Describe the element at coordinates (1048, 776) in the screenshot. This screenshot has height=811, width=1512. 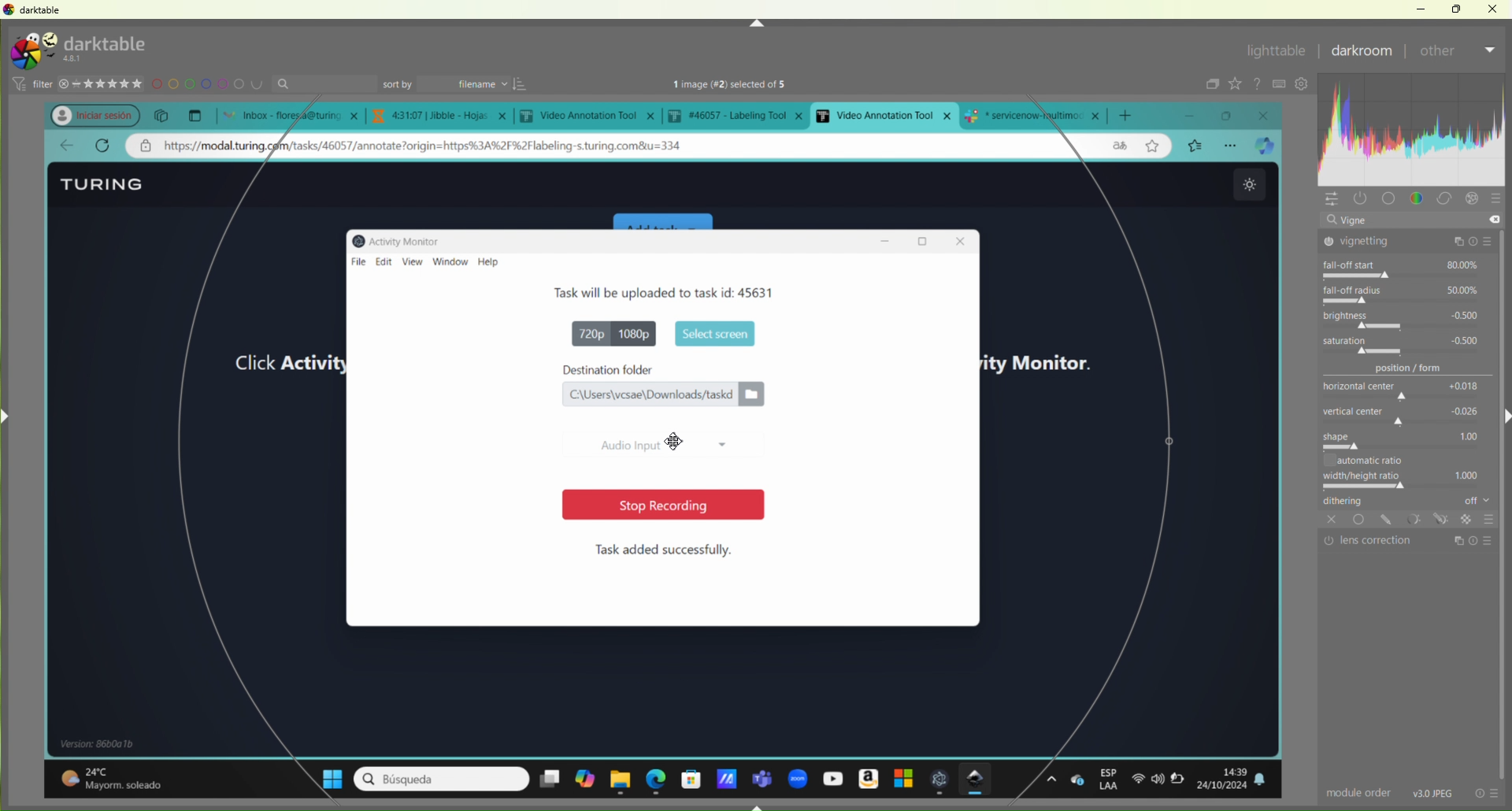
I see `options` at that location.